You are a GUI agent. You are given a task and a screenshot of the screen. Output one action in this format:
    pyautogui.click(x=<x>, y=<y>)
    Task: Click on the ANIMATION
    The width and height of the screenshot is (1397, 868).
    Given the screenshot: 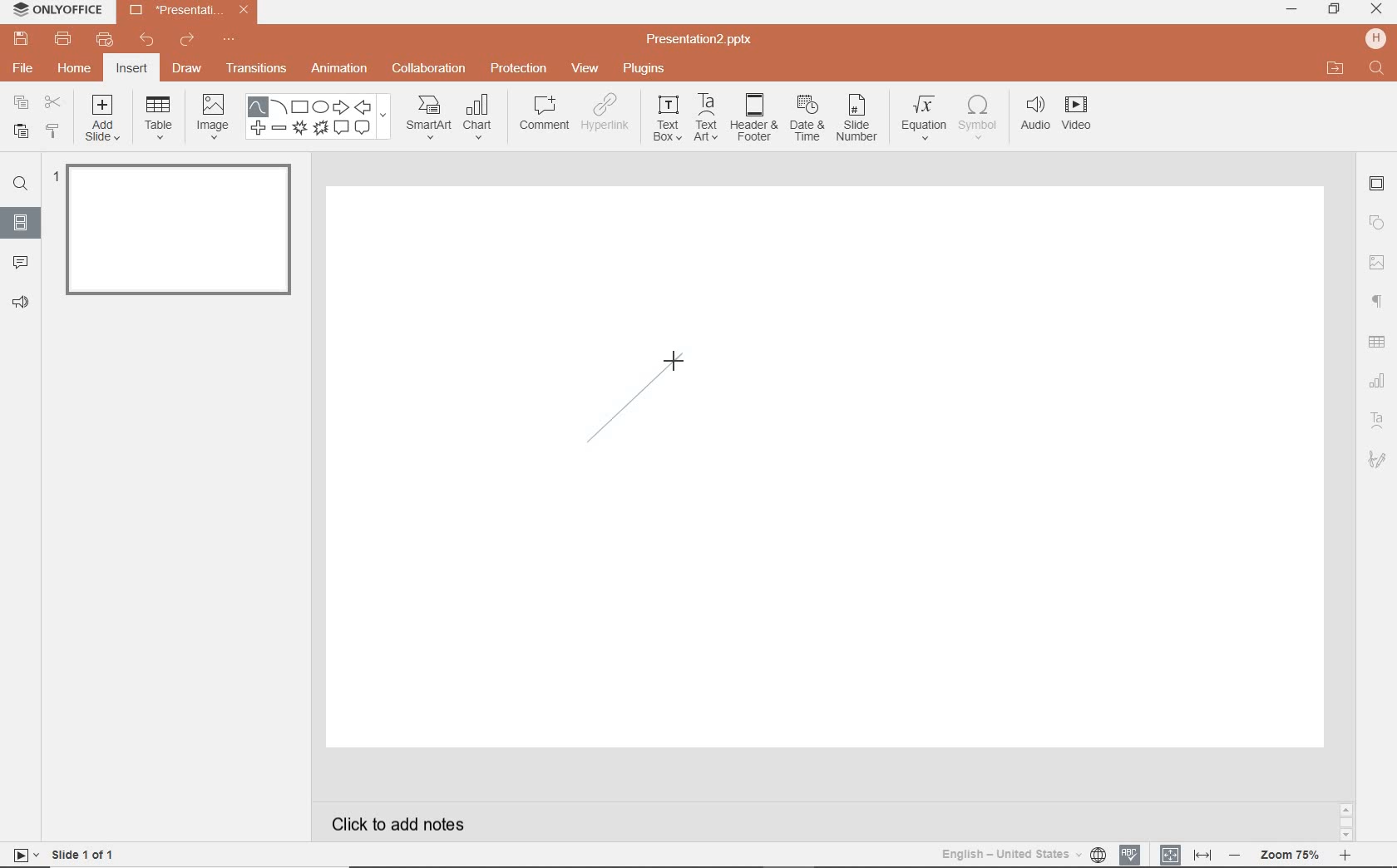 What is the action you would take?
    pyautogui.click(x=343, y=69)
    